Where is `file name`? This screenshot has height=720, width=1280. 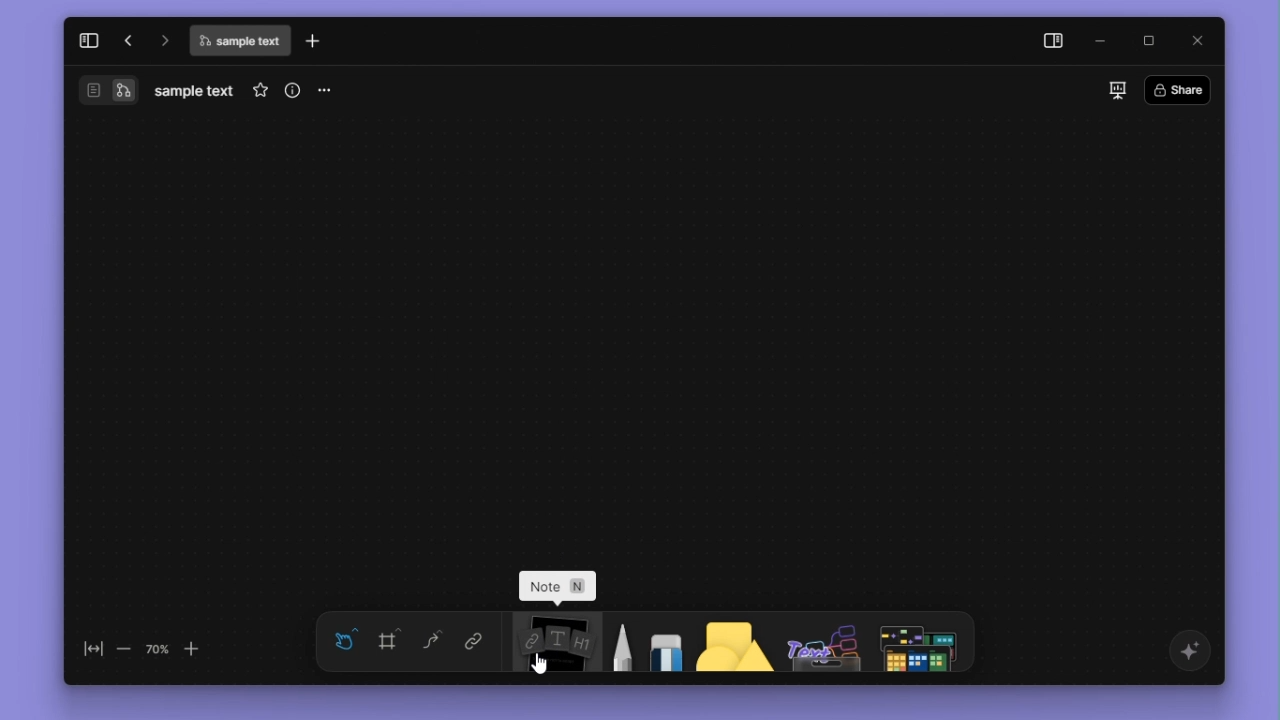
file name is located at coordinates (195, 91).